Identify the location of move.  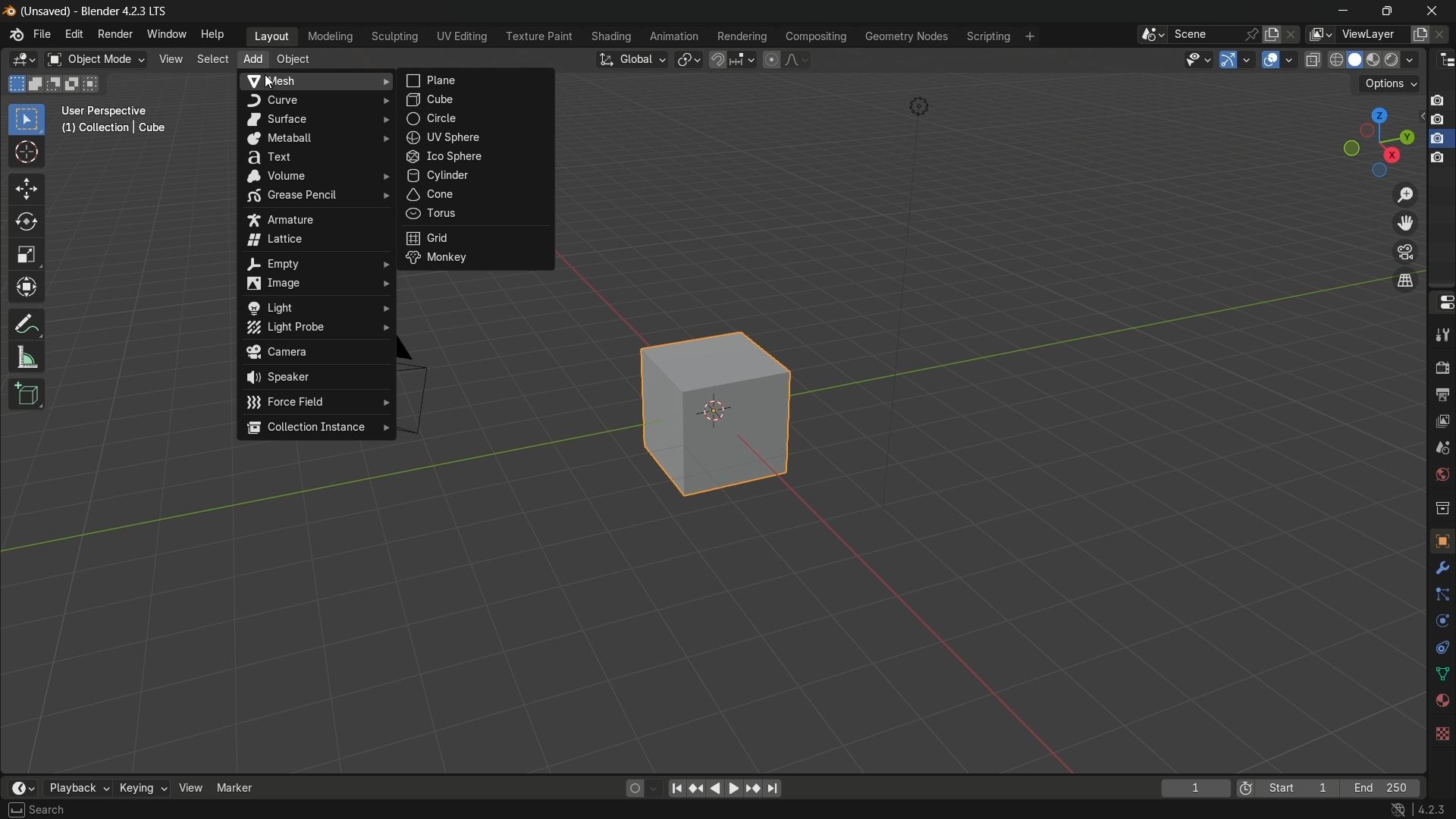
(27, 190).